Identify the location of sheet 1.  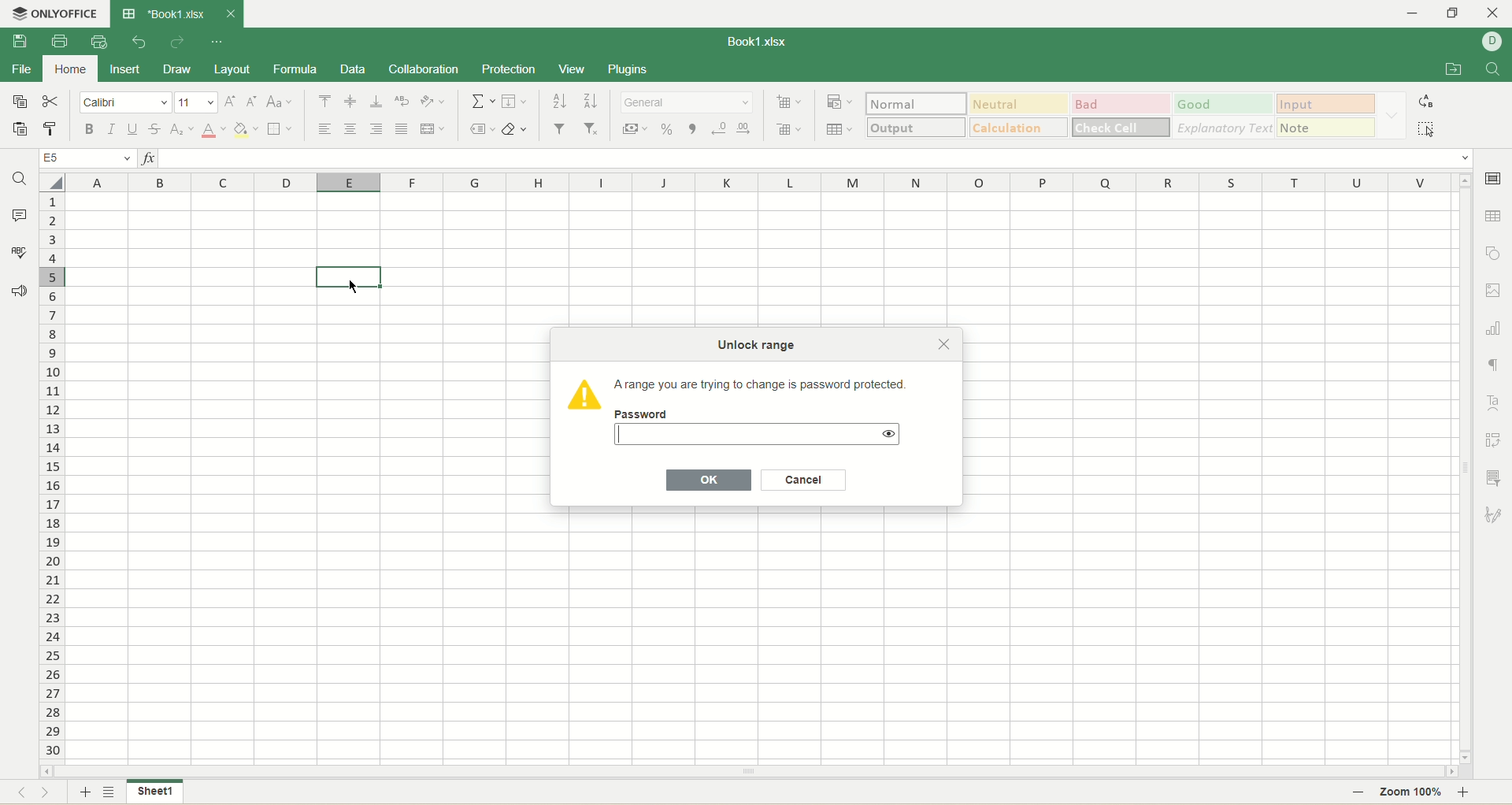
(157, 793).